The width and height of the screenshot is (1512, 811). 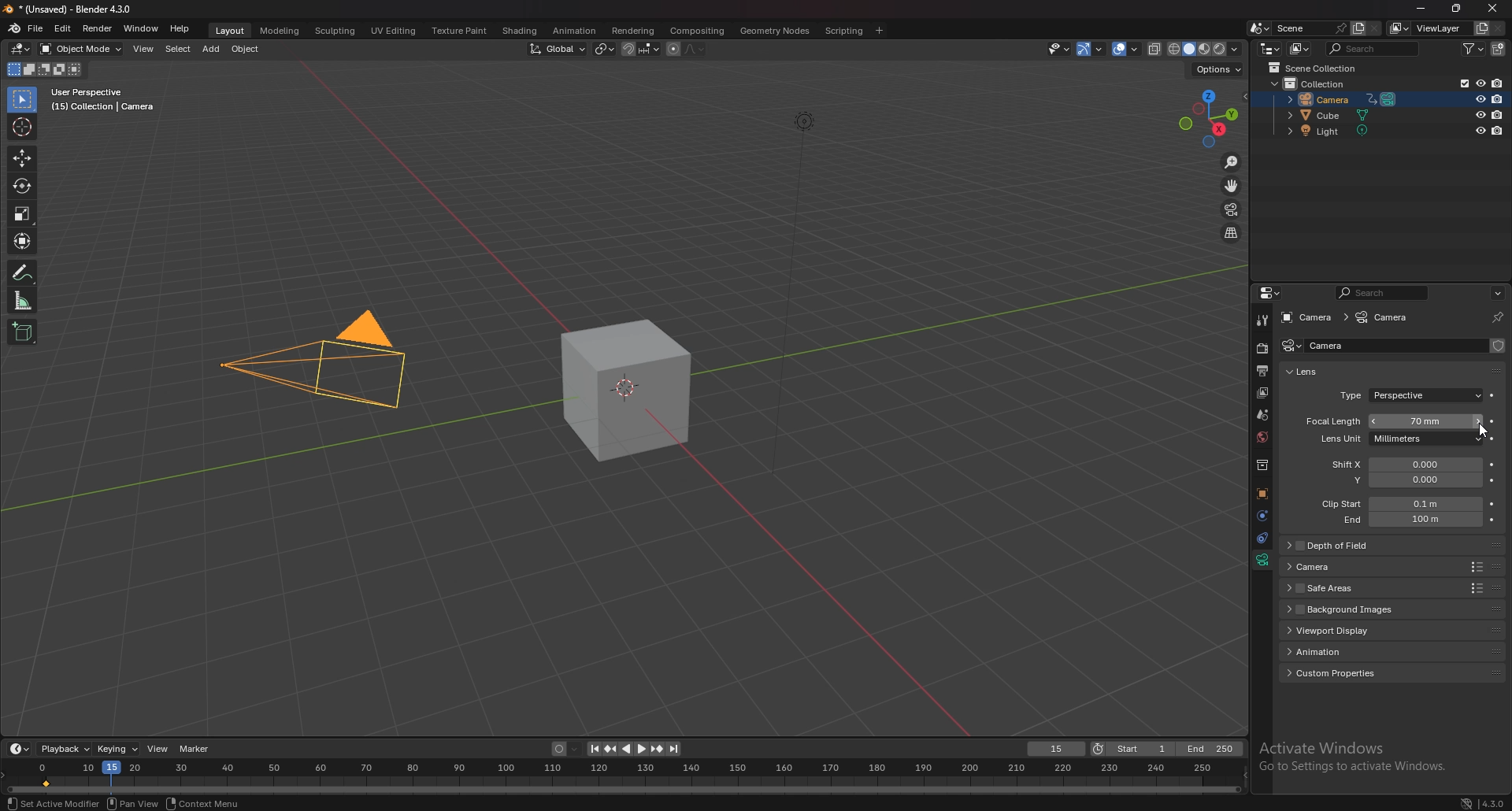 What do you see at coordinates (1385, 318) in the screenshot?
I see `camera` at bounding box center [1385, 318].